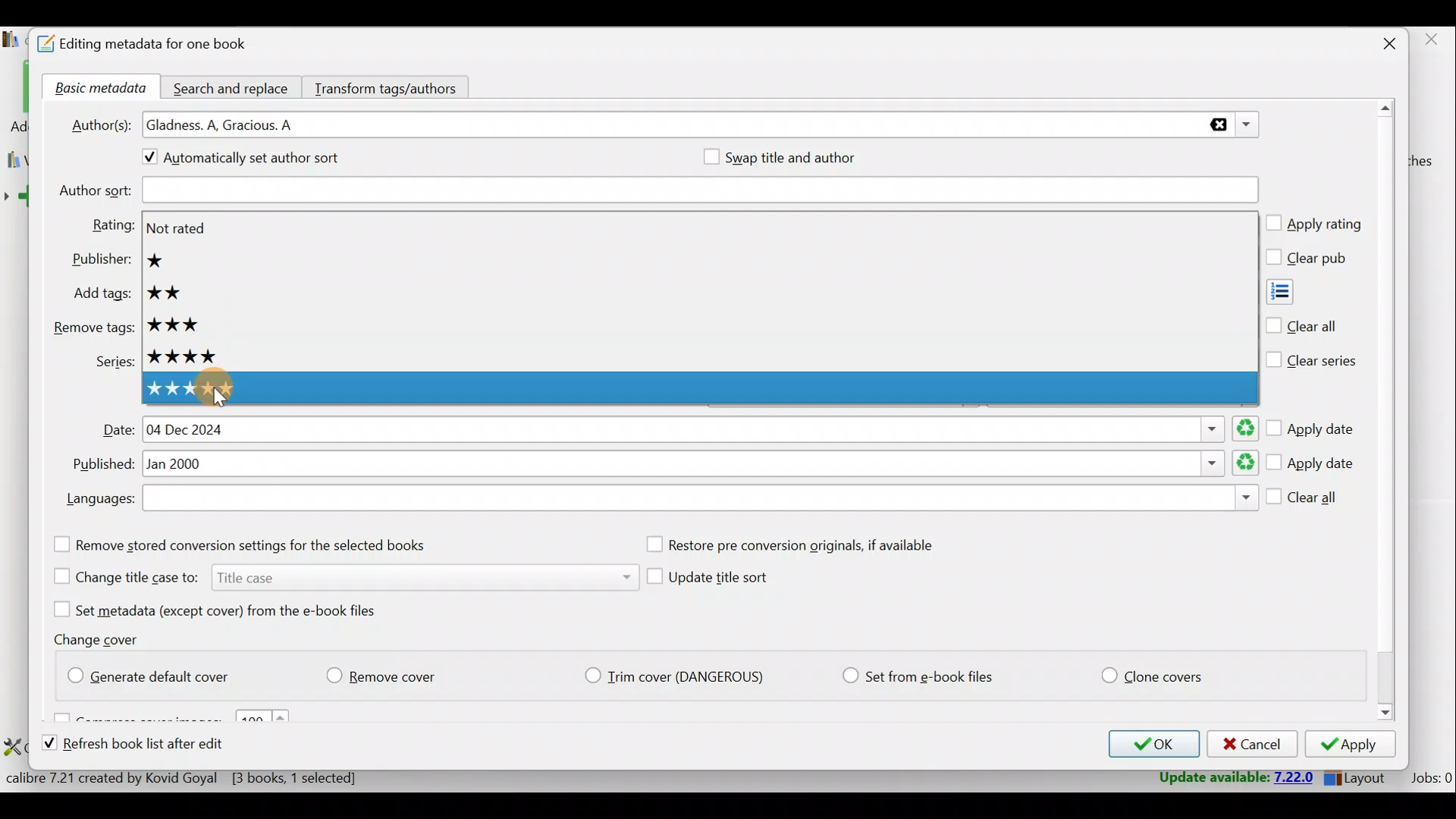  Describe the element at coordinates (1310, 259) in the screenshot. I see `Clear pub` at that location.